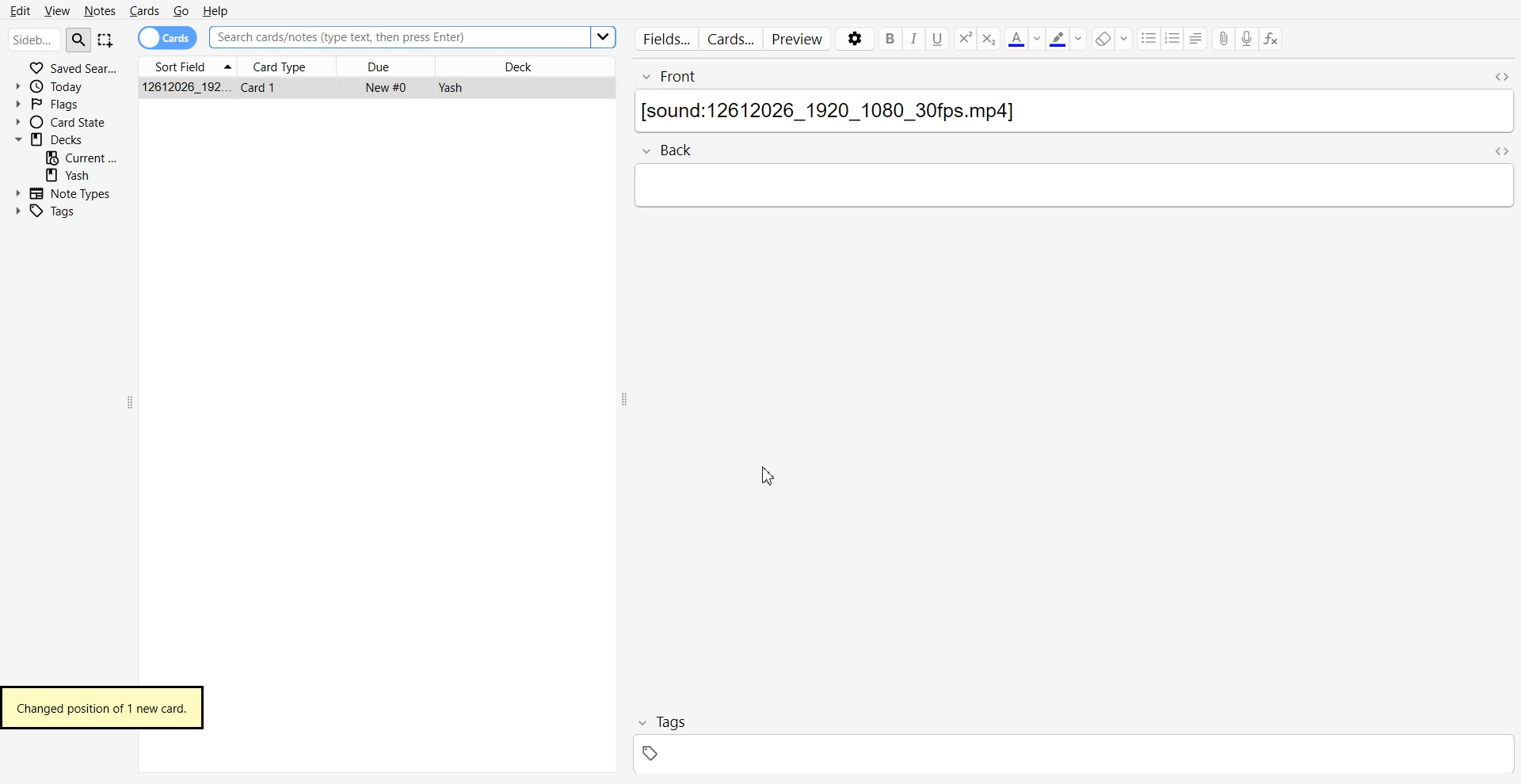 The width and height of the screenshot is (1521, 784). Describe the element at coordinates (56, 10) in the screenshot. I see `View` at that location.